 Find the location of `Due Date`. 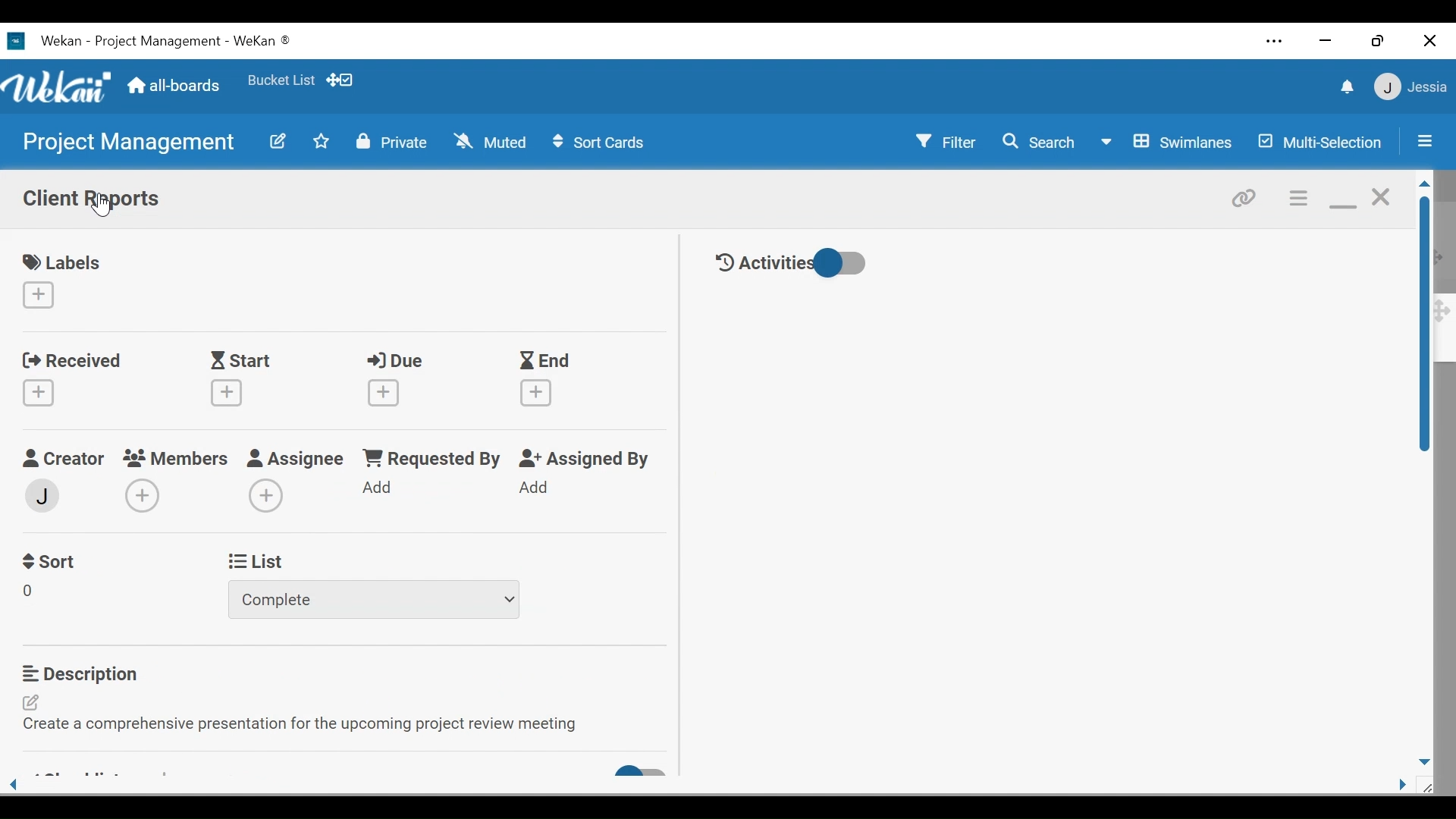

Due Date is located at coordinates (397, 362).